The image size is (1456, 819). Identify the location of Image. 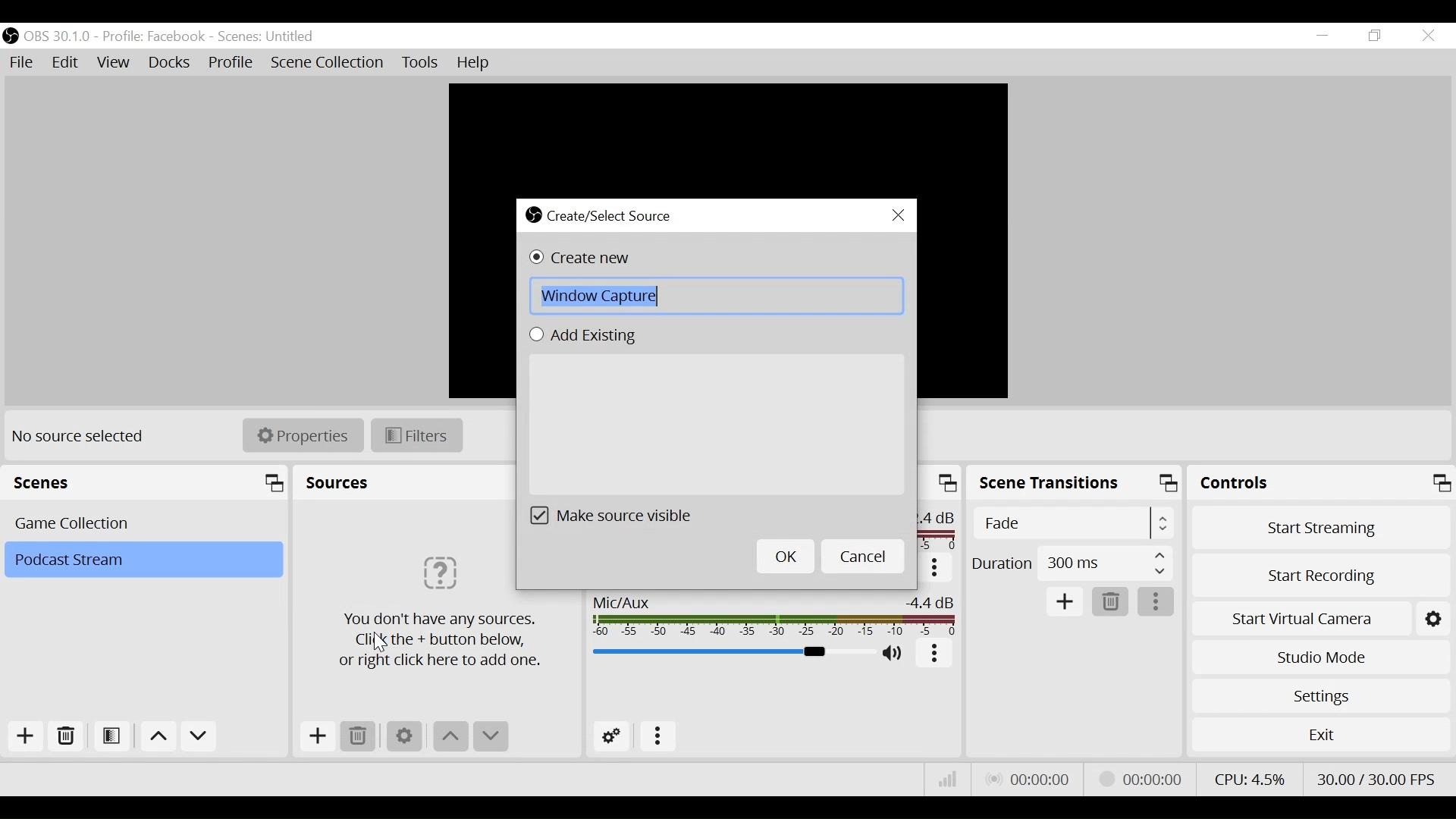
(442, 573).